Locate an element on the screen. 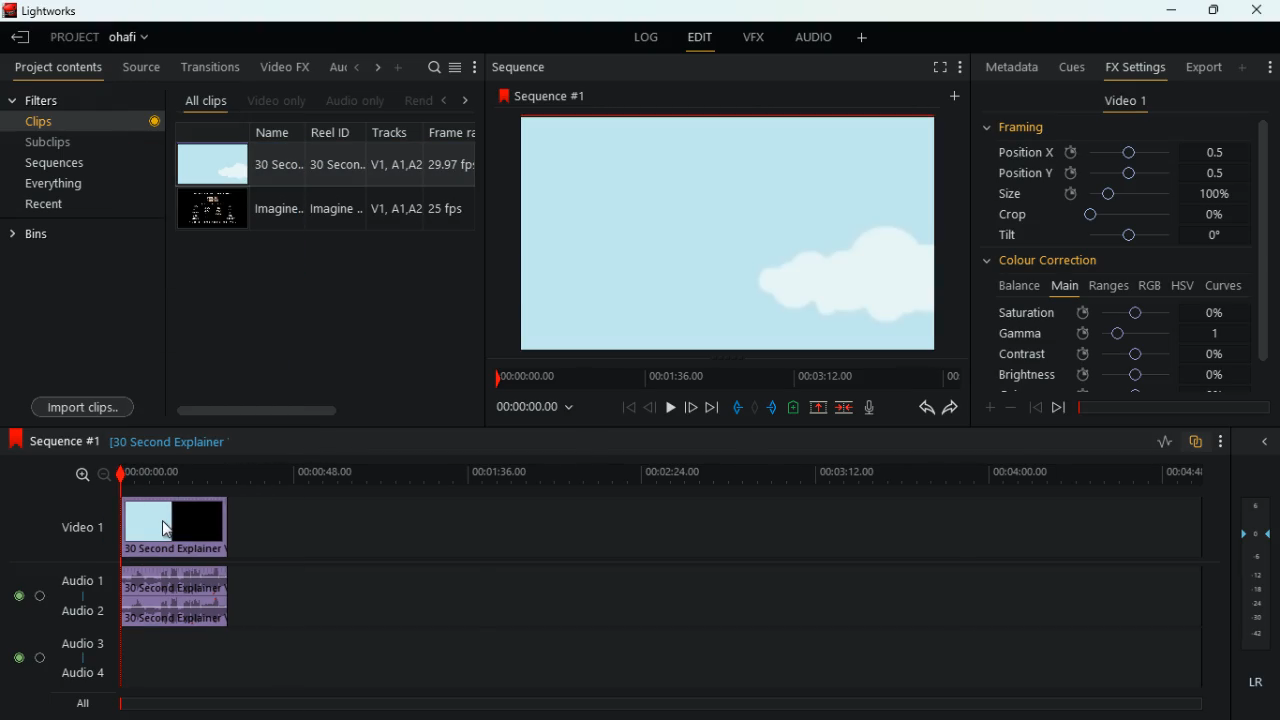 The width and height of the screenshot is (1280, 720). timeline is located at coordinates (651, 704).